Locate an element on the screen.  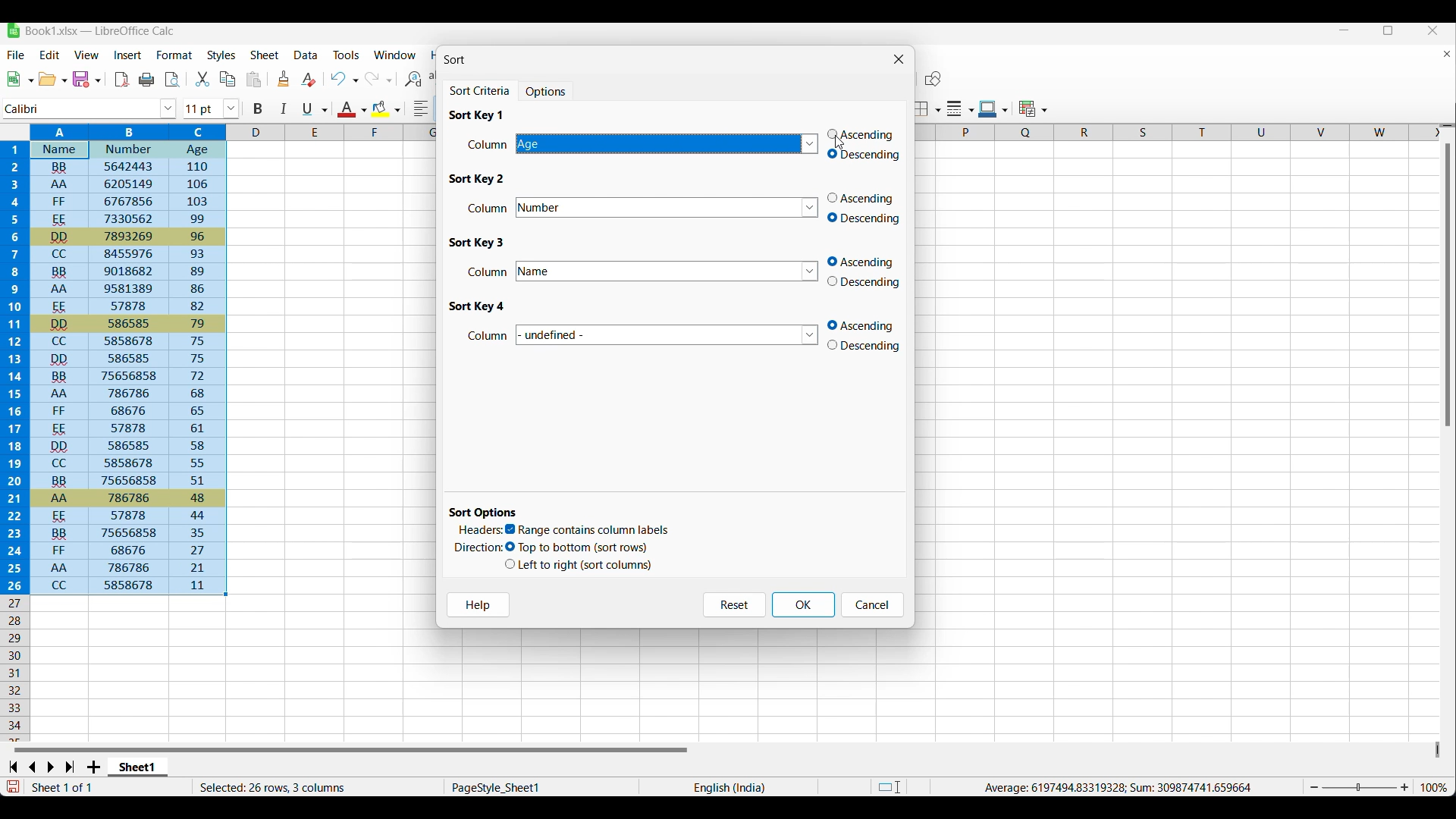
Input font size is located at coordinates (202, 108).